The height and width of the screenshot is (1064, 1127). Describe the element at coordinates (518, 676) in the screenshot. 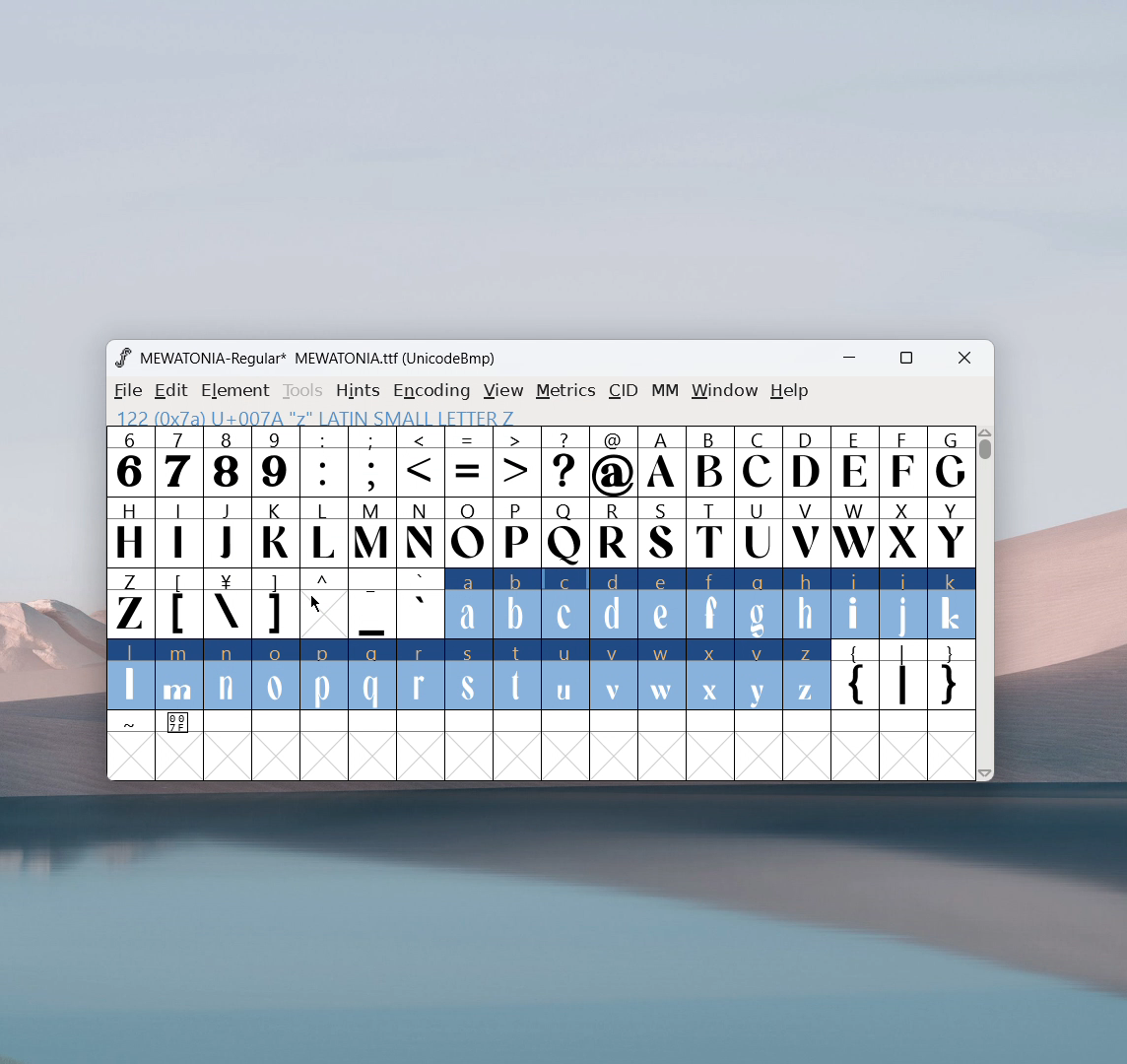

I see `t` at that location.